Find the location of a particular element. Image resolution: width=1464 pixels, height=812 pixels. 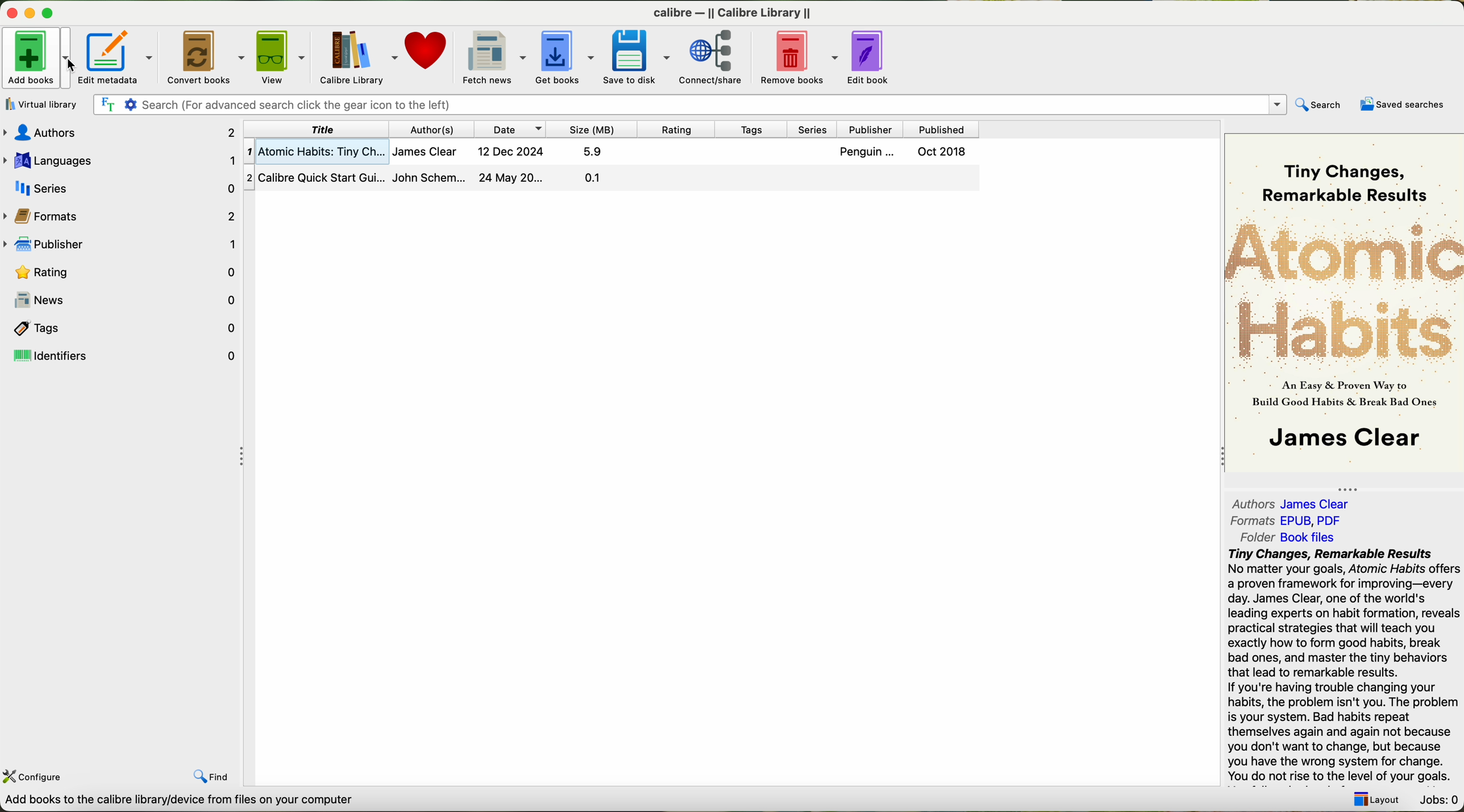

convert books is located at coordinates (205, 56).